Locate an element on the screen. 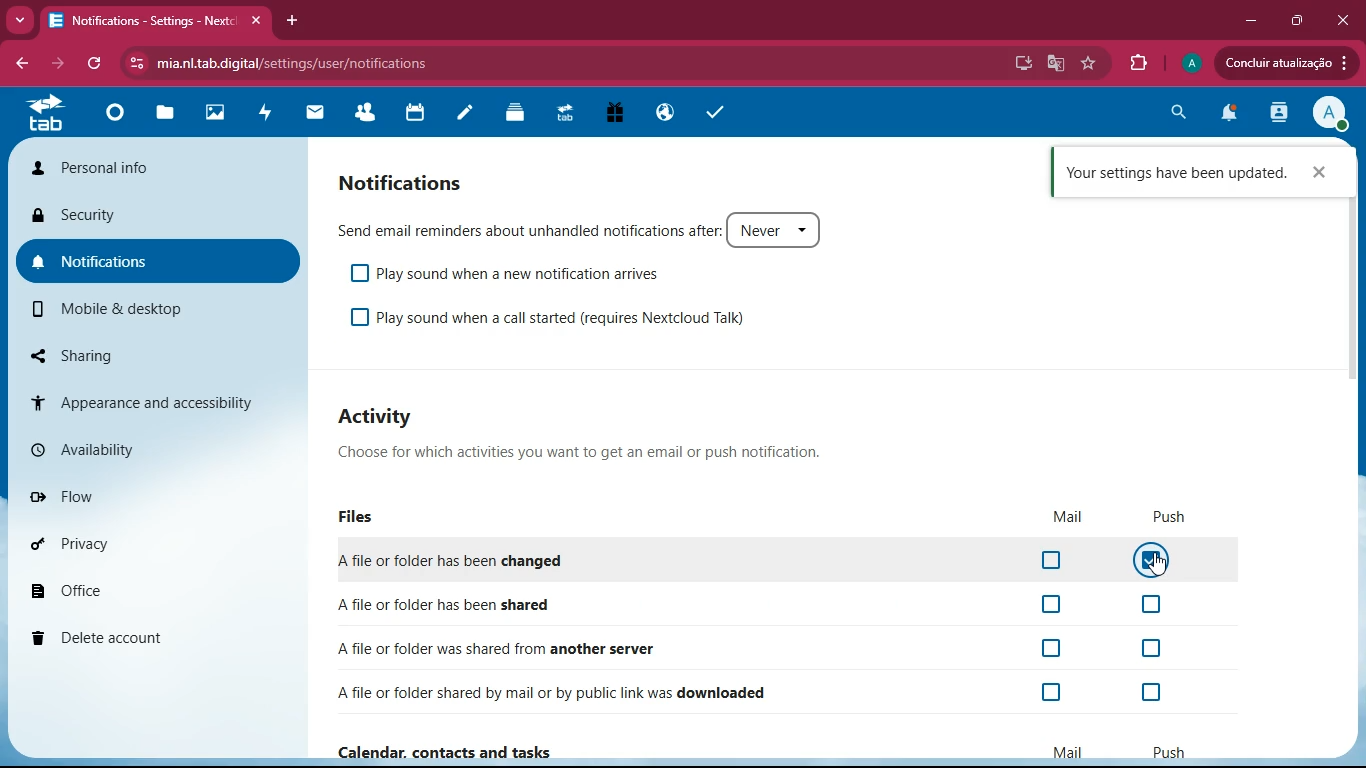 The width and height of the screenshot is (1366, 768). flow is located at coordinates (139, 493).